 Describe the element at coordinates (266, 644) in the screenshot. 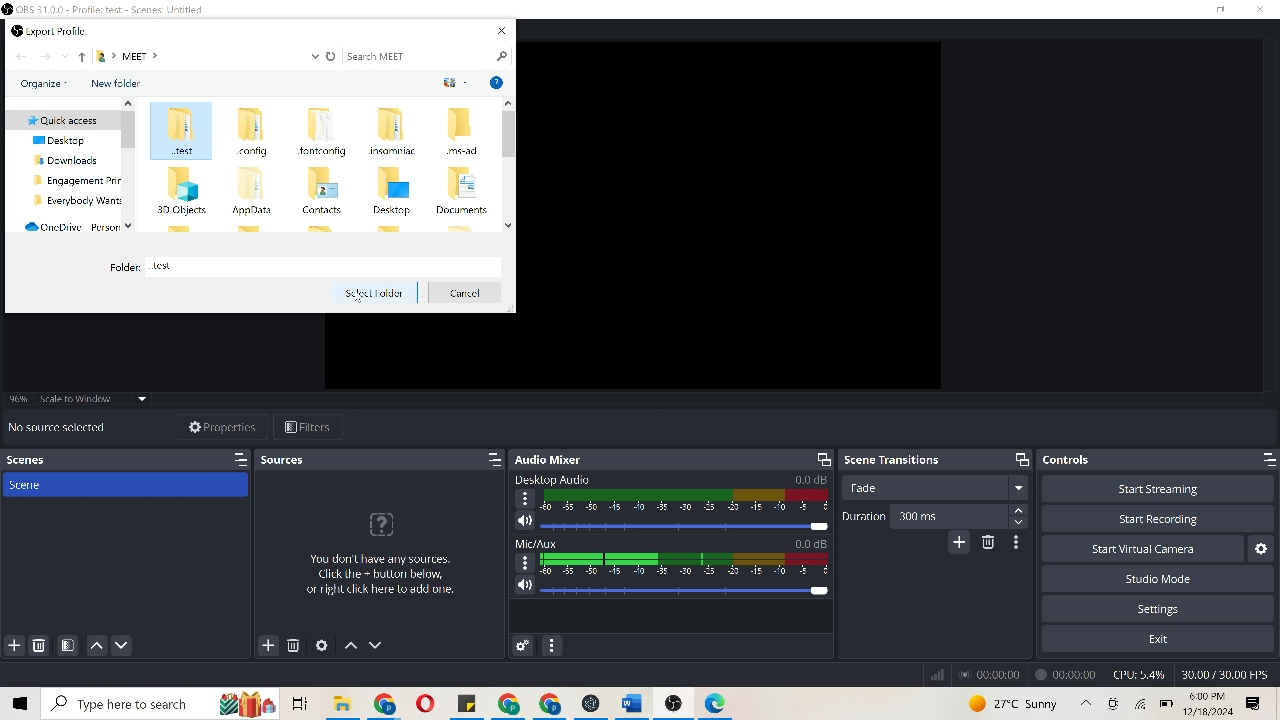

I see `add sources` at that location.